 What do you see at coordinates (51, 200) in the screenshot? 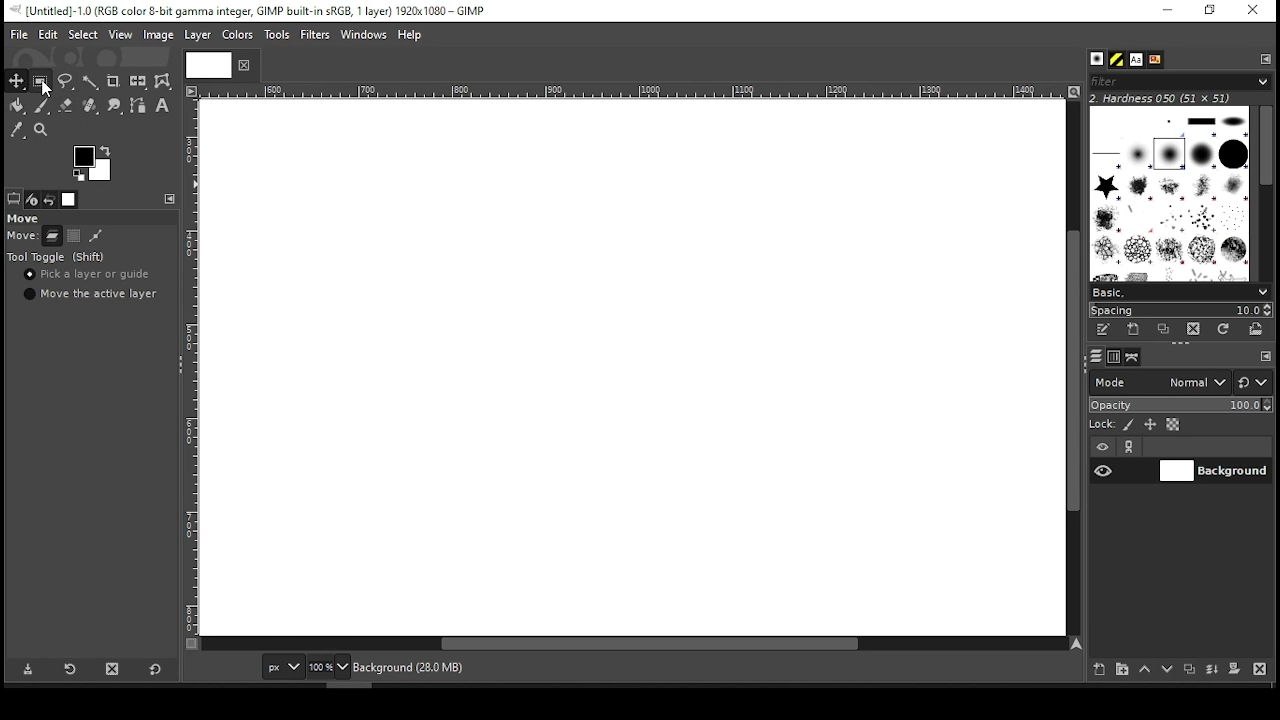
I see `undo history` at bounding box center [51, 200].